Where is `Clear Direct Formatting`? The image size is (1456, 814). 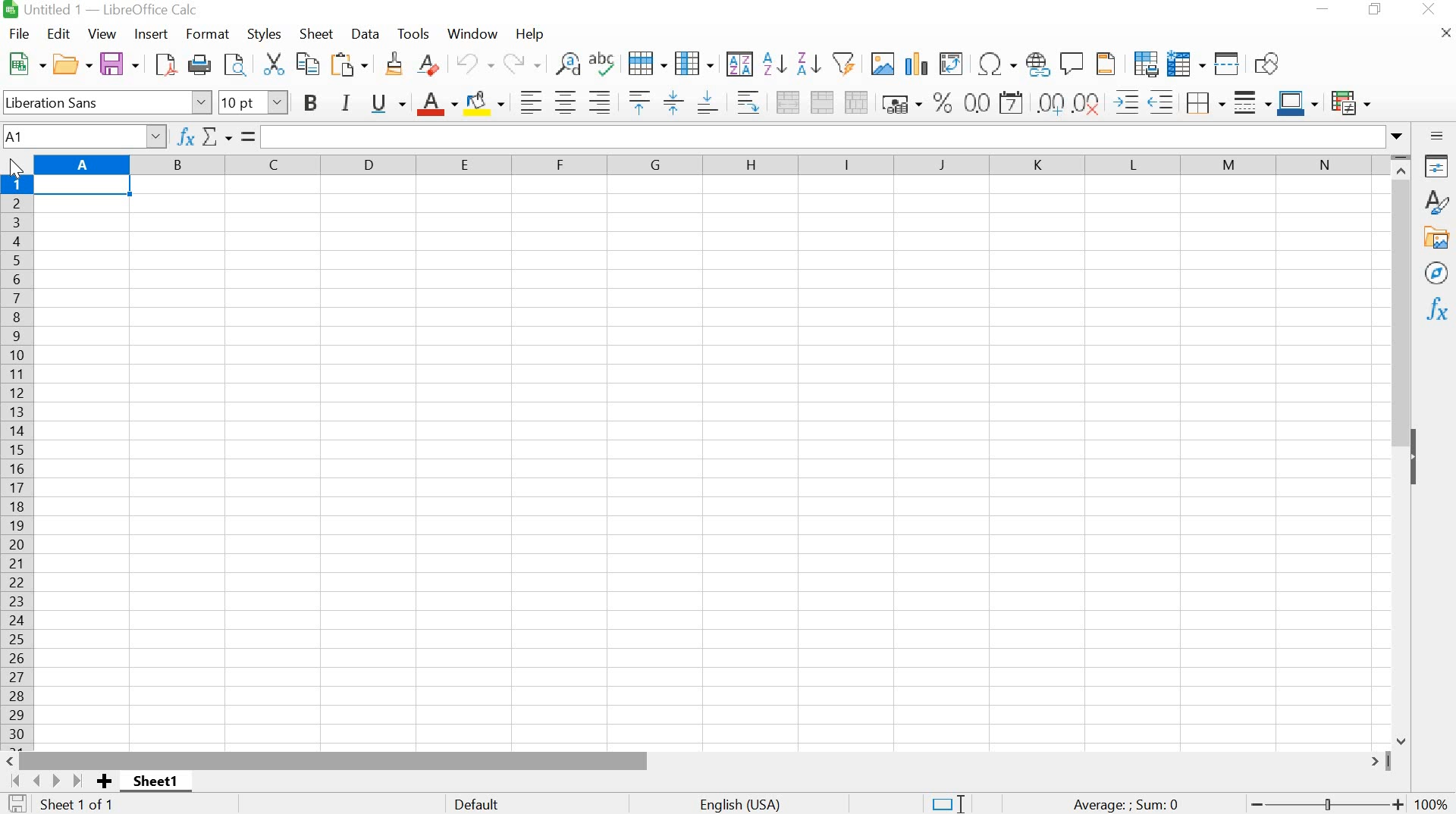
Clear Direct Formatting is located at coordinates (428, 64).